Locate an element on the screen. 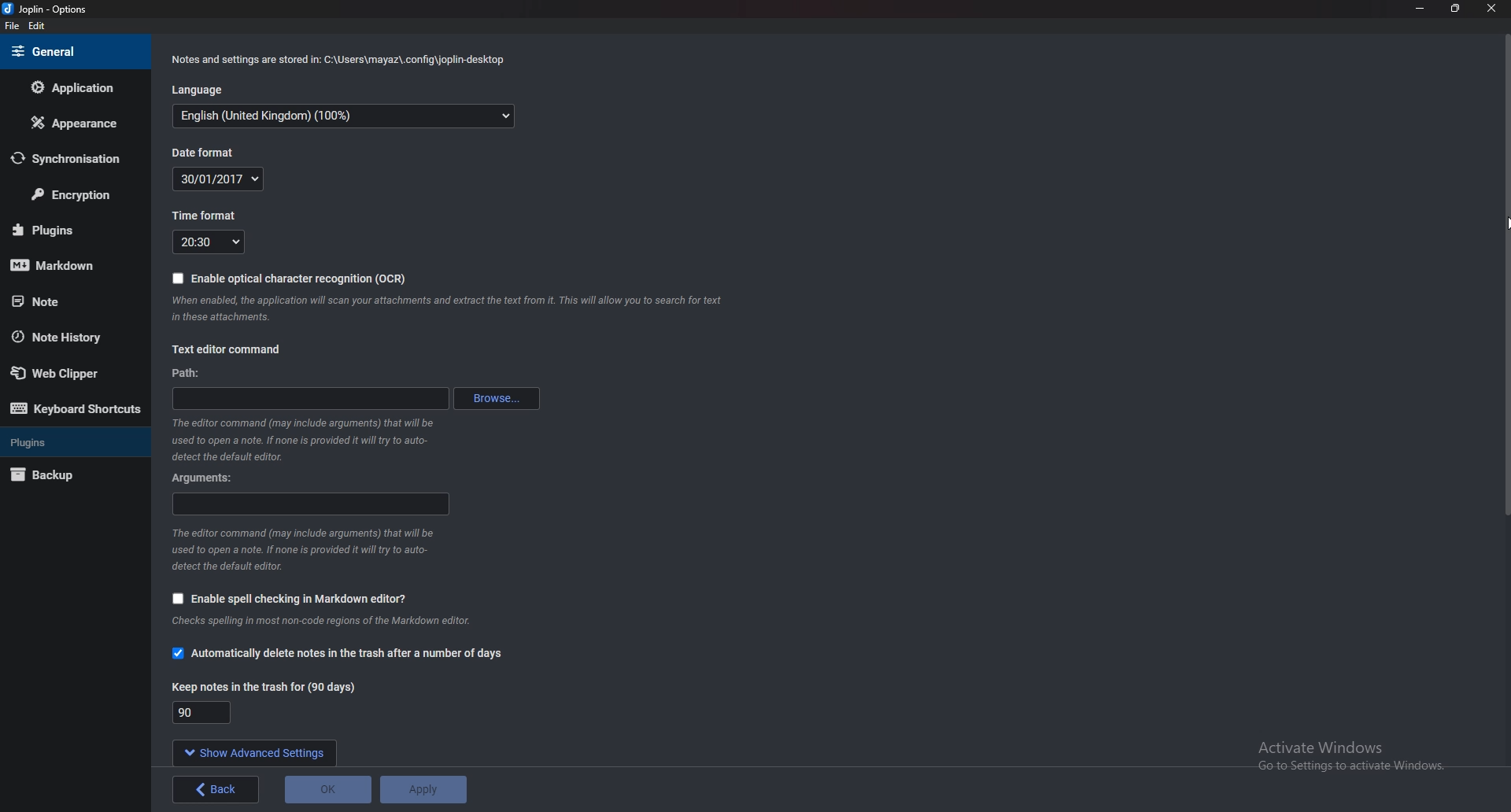  Date format is located at coordinates (201, 153).